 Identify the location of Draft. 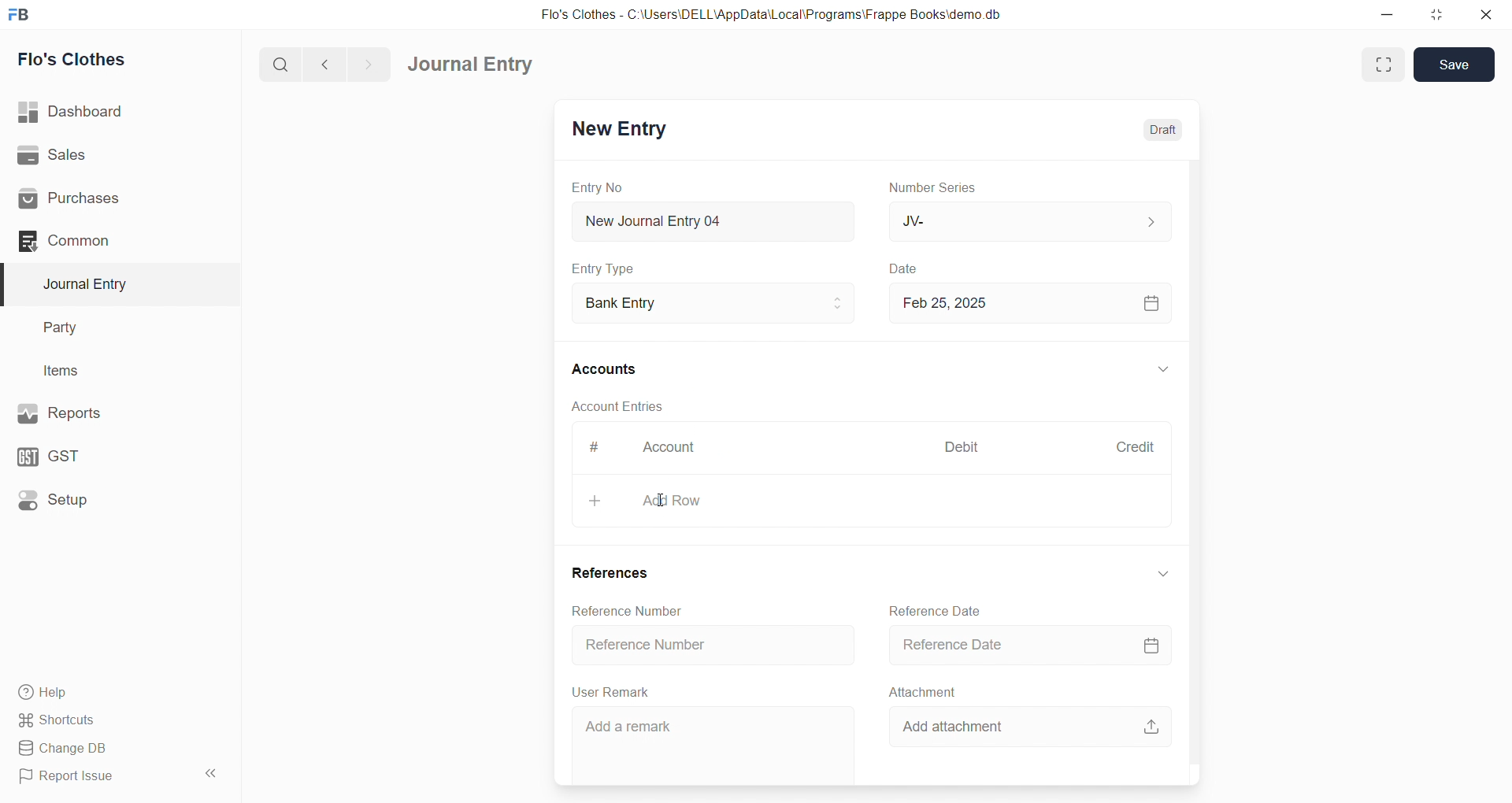
(1164, 130).